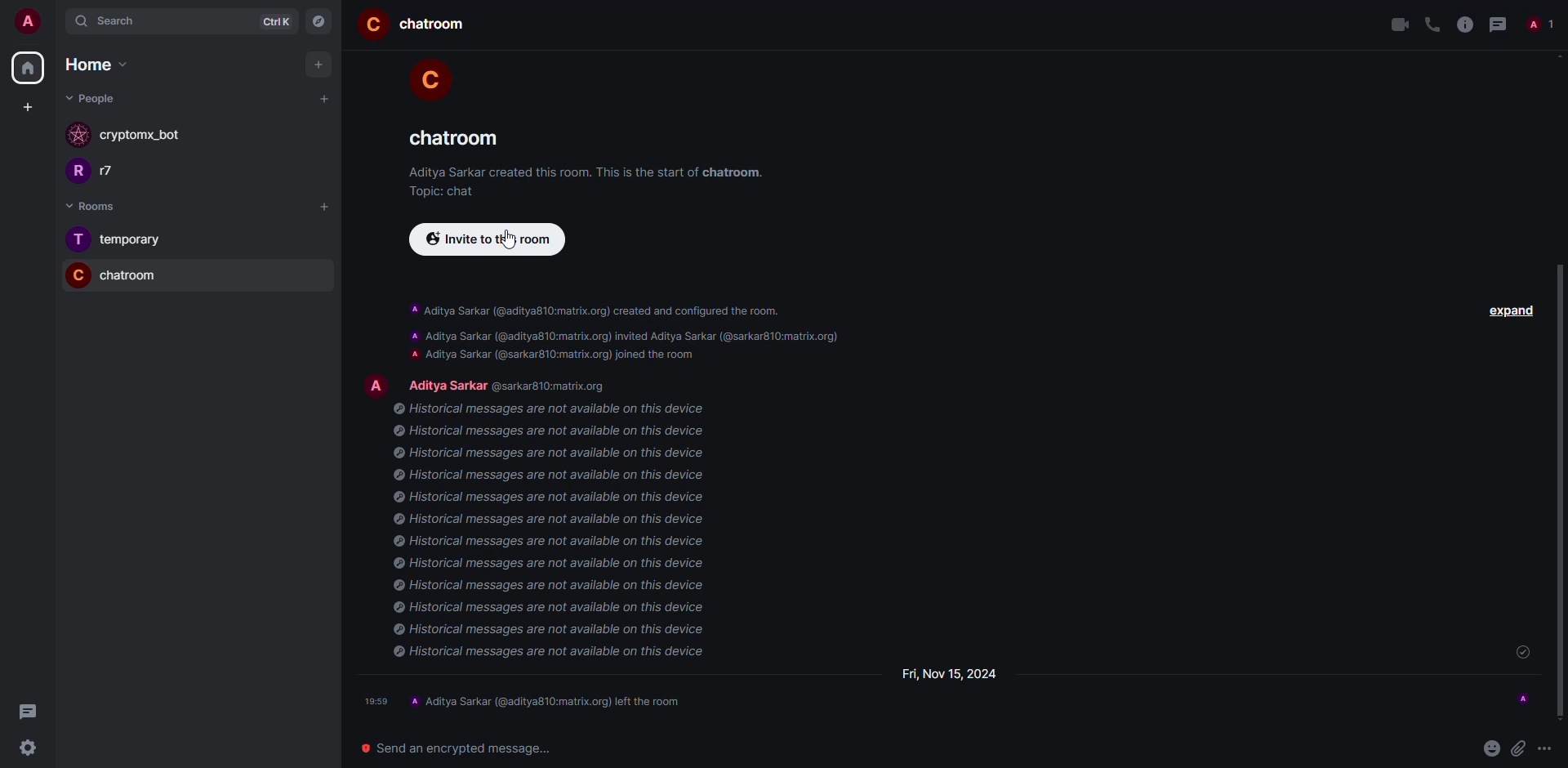 The image size is (1568, 768). What do you see at coordinates (135, 239) in the screenshot?
I see `room` at bounding box center [135, 239].